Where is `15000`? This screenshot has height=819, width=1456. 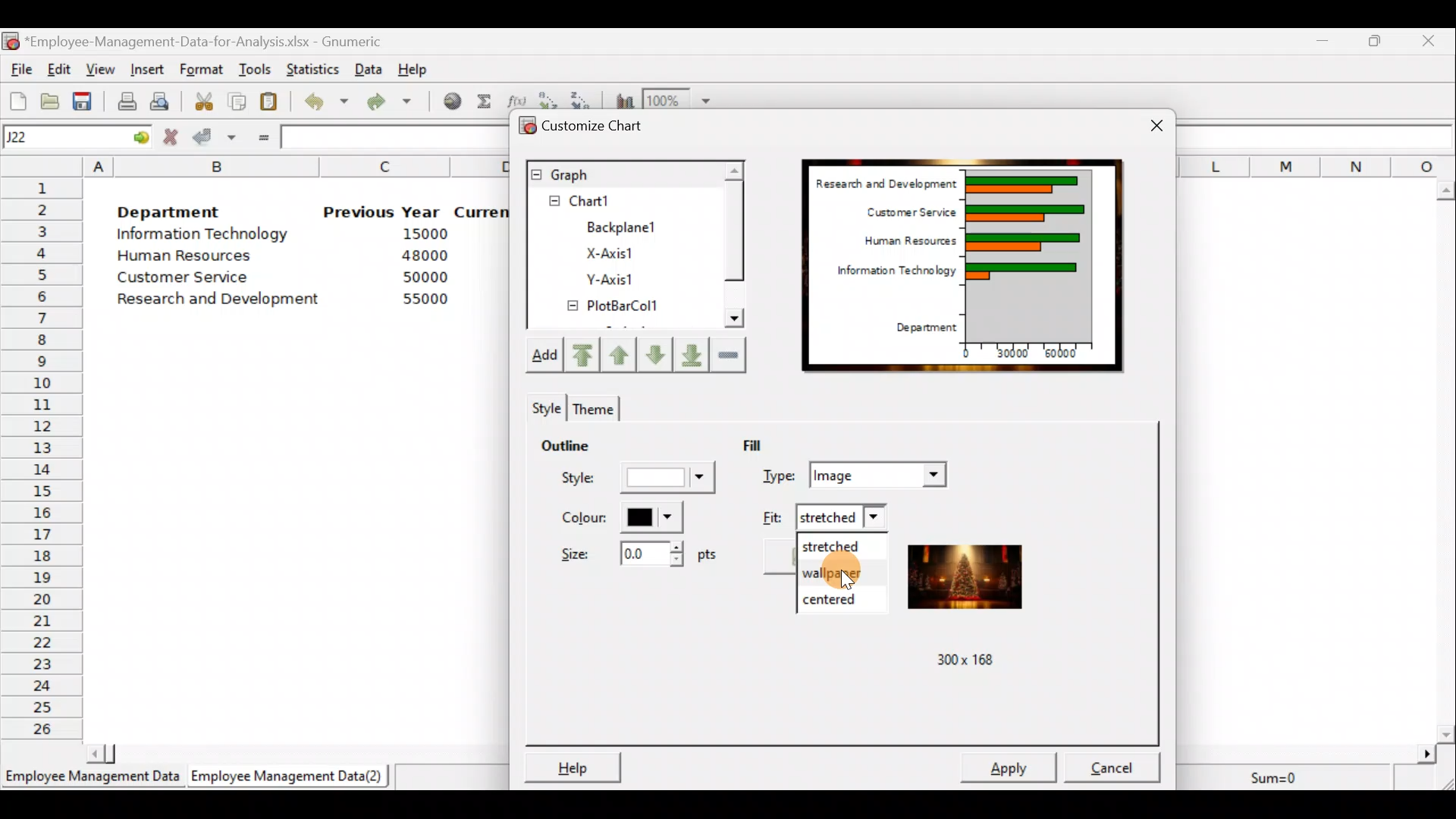 15000 is located at coordinates (420, 237).